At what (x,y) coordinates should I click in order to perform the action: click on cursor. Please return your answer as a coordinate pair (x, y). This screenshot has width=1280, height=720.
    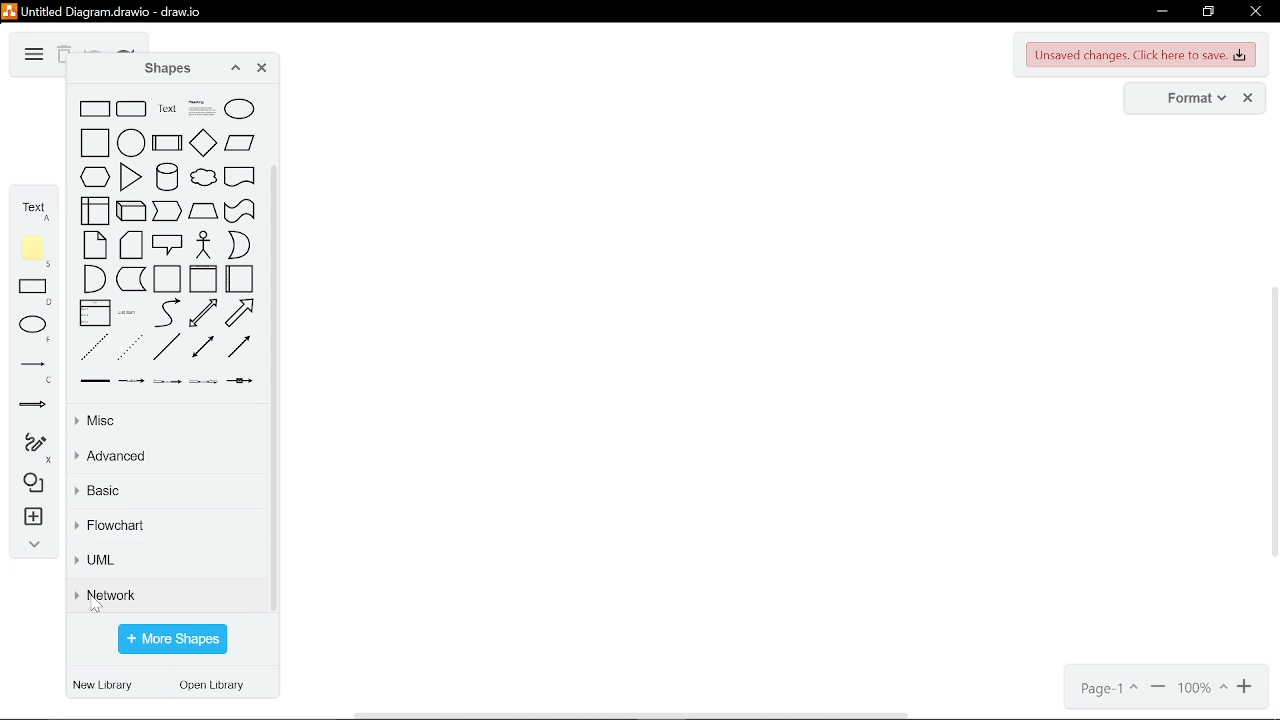
    Looking at the image, I should click on (99, 603).